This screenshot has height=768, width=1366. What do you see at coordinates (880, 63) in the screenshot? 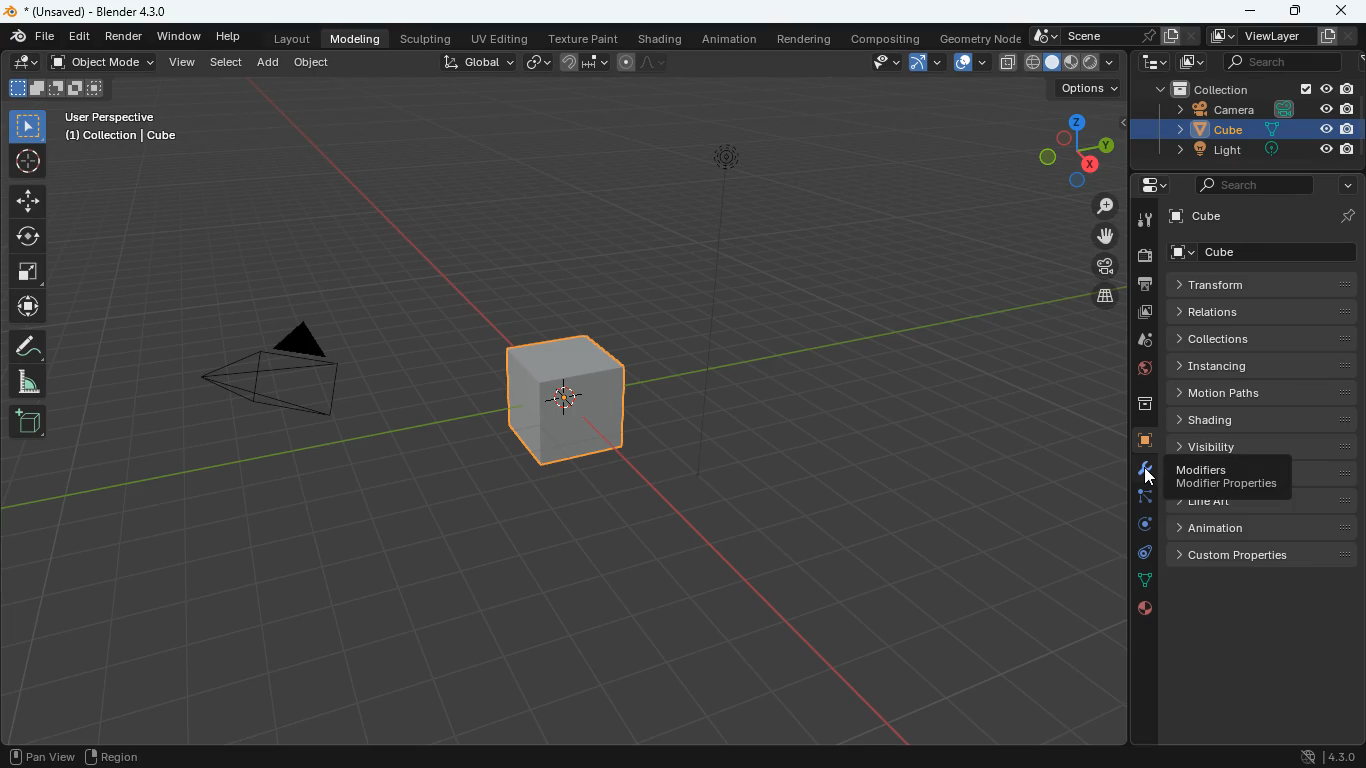
I see `view` at bounding box center [880, 63].